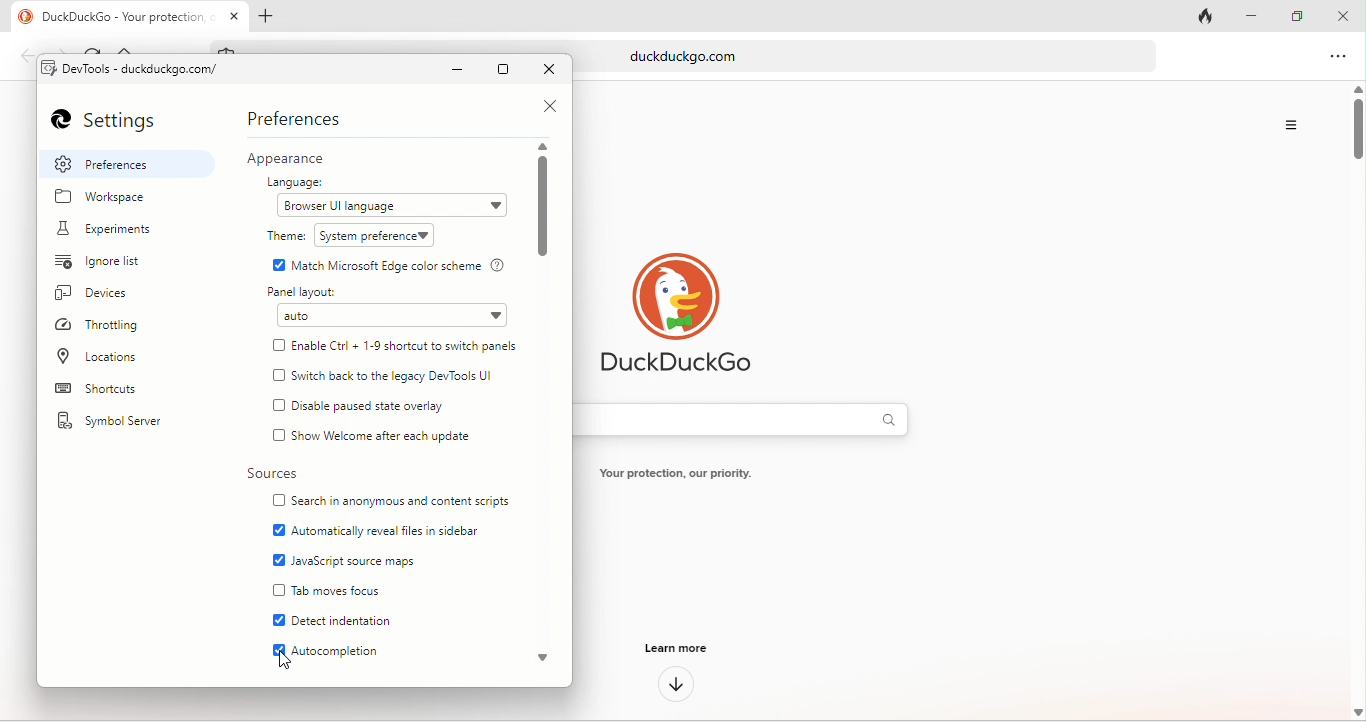  I want to click on option, so click(1294, 125).